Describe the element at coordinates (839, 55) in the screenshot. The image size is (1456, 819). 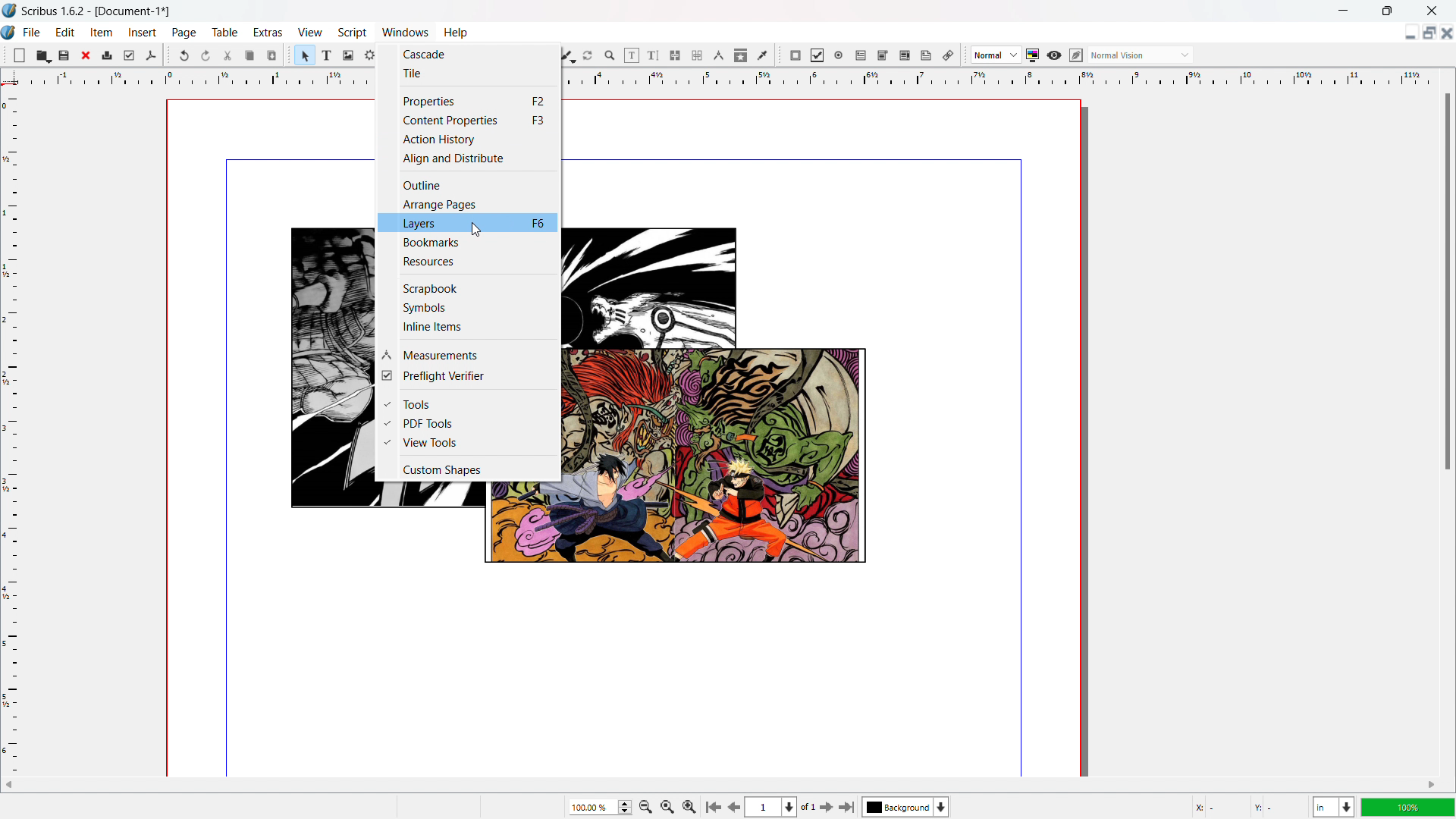
I see `pdf radio button` at that location.